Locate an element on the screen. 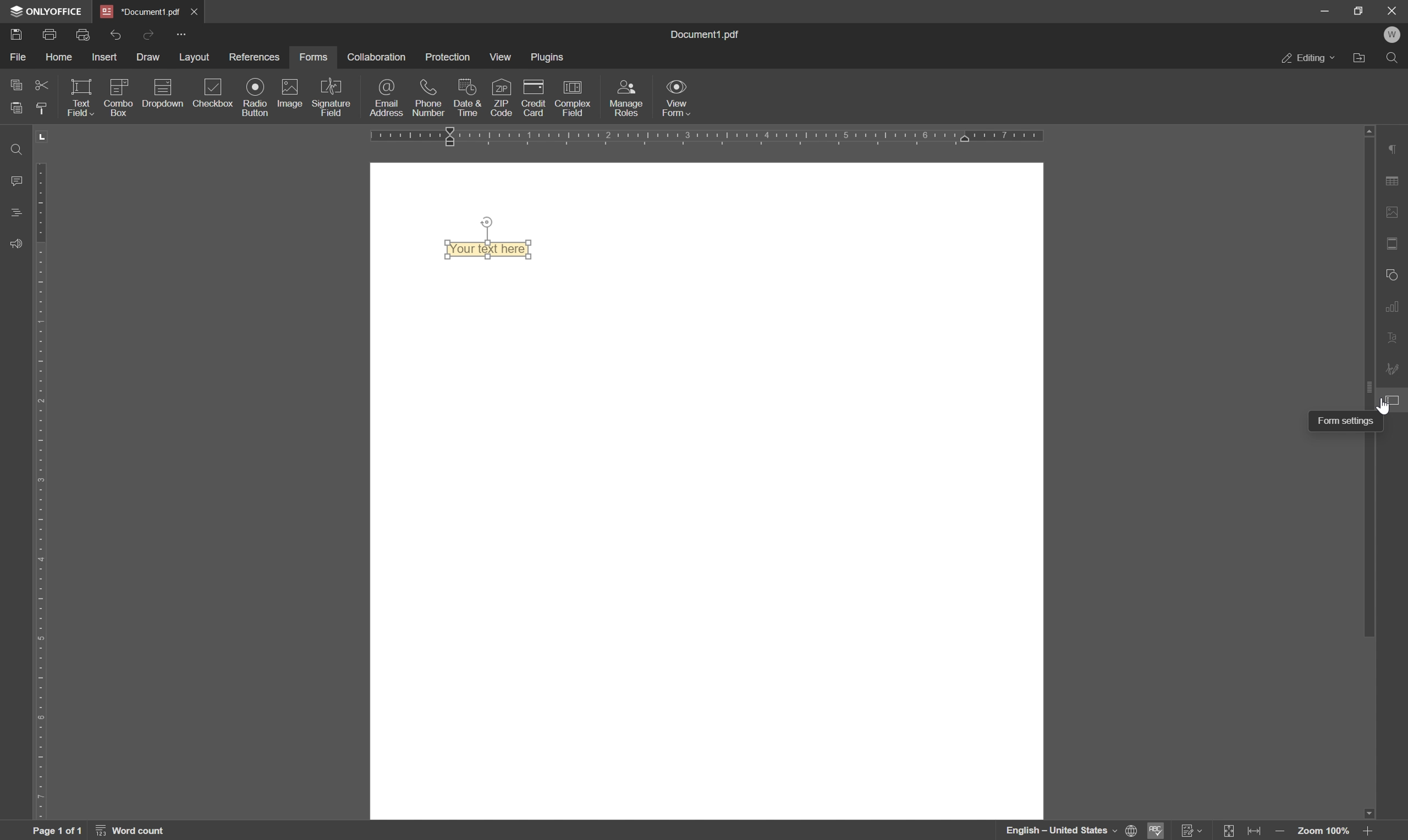 Image resolution: width=1408 pixels, height=840 pixels. manage roles is located at coordinates (628, 97).